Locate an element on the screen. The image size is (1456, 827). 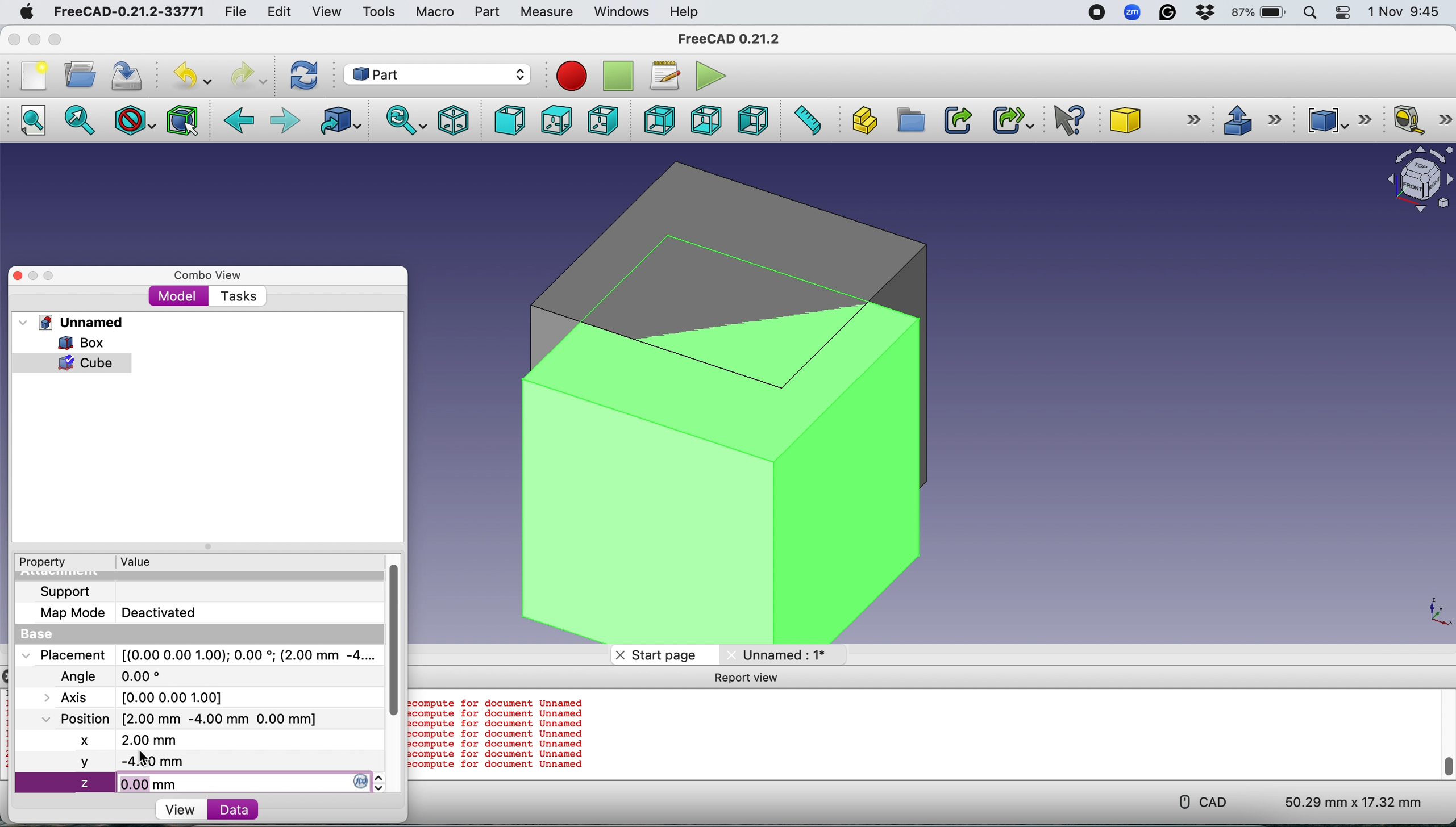
Maximise is located at coordinates (56, 40).